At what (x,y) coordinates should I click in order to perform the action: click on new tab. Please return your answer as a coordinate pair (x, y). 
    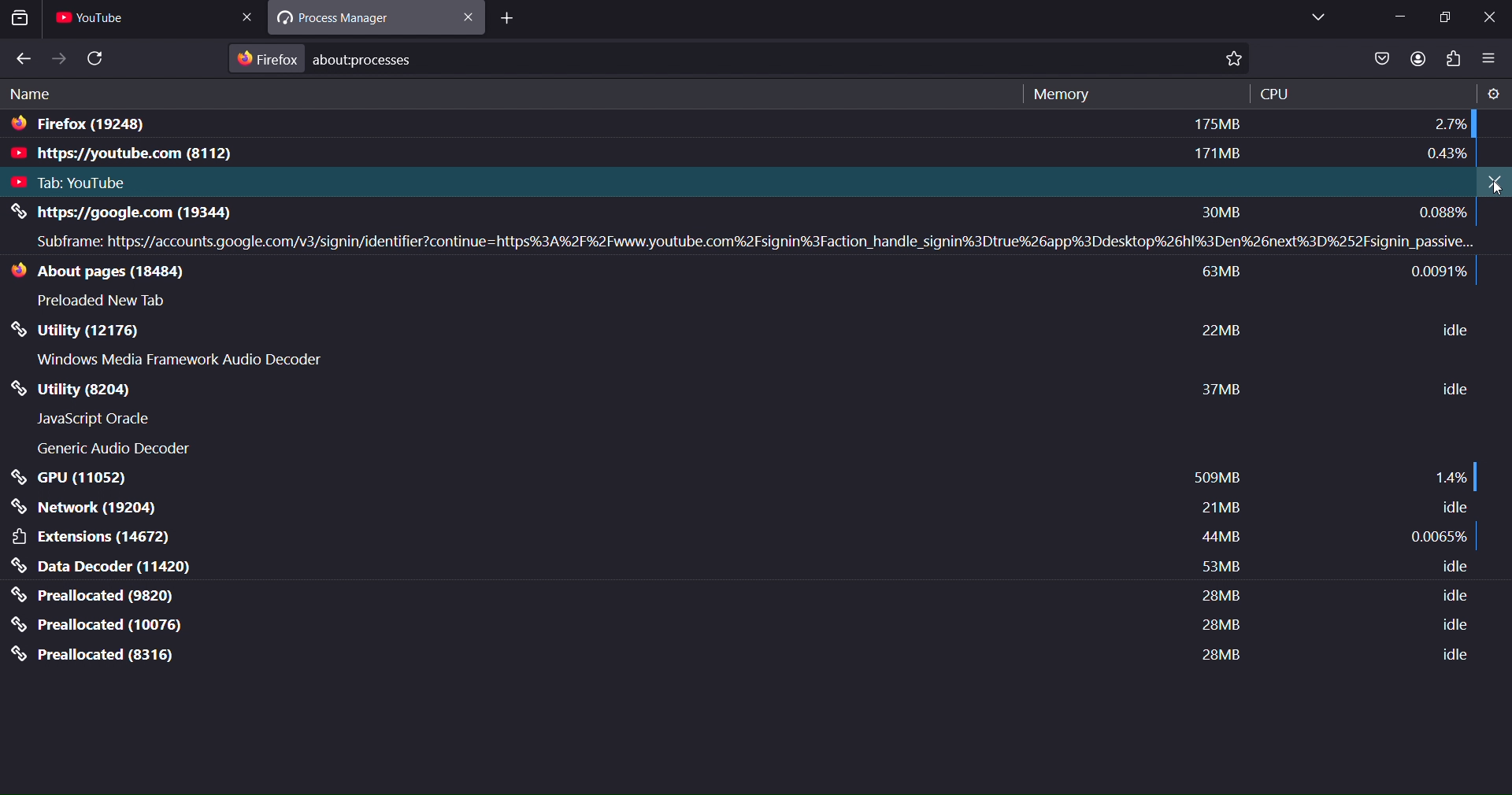
    Looking at the image, I should click on (503, 20).